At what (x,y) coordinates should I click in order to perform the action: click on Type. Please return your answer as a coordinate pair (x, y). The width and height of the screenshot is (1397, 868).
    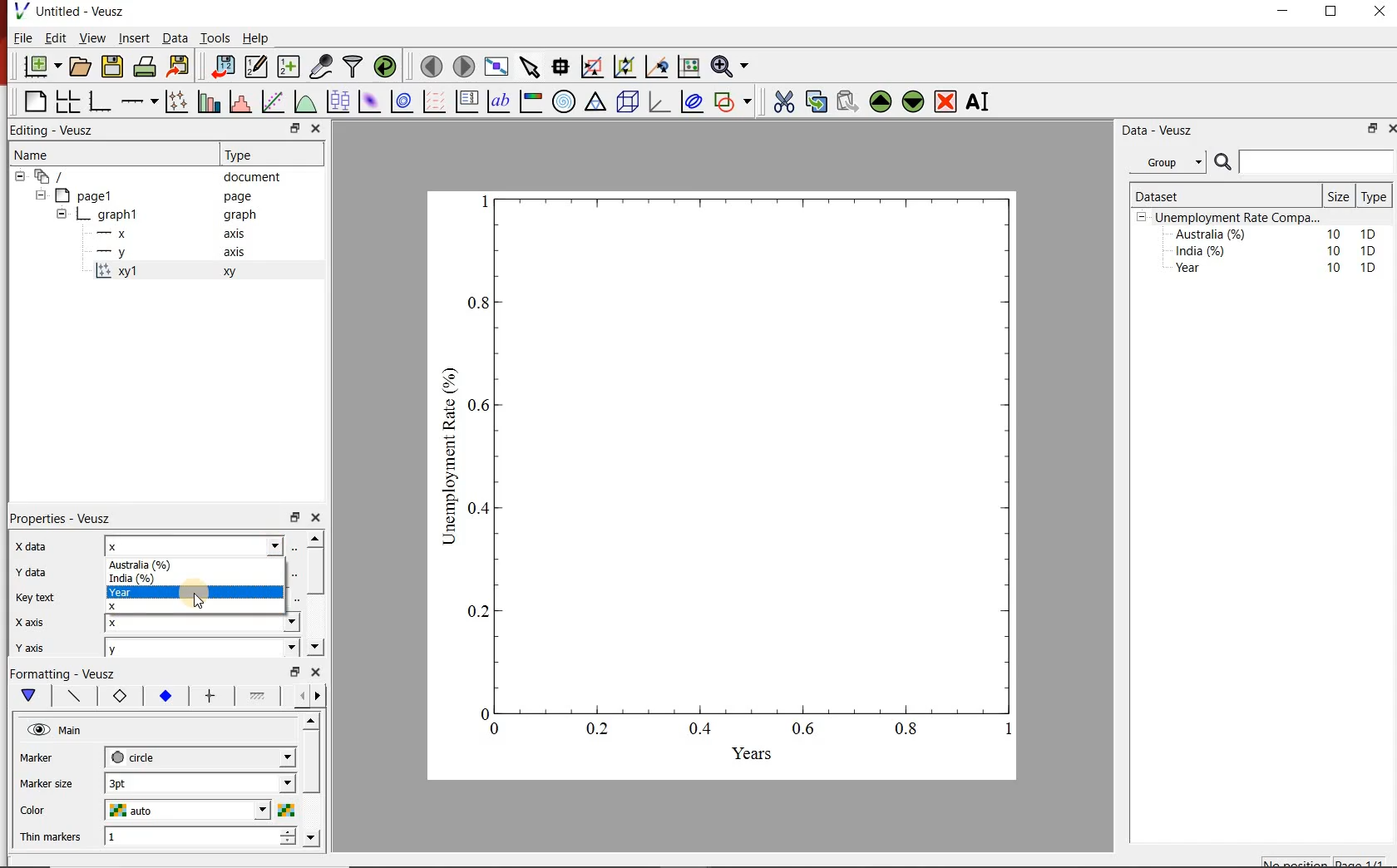
    Looking at the image, I should click on (1373, 197).